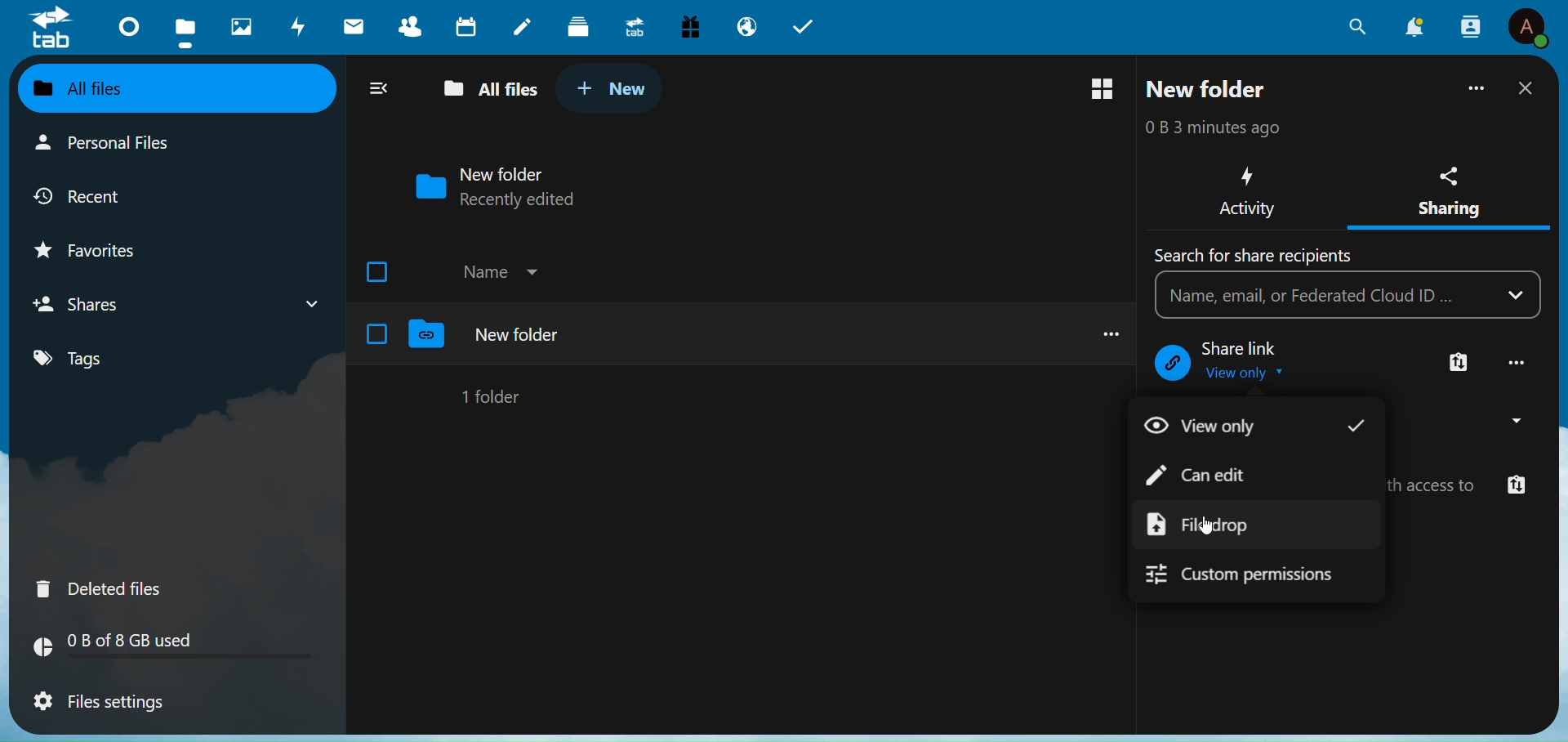 The image size is (1568, 742). I want to click on File Settings, so click(111, 704).